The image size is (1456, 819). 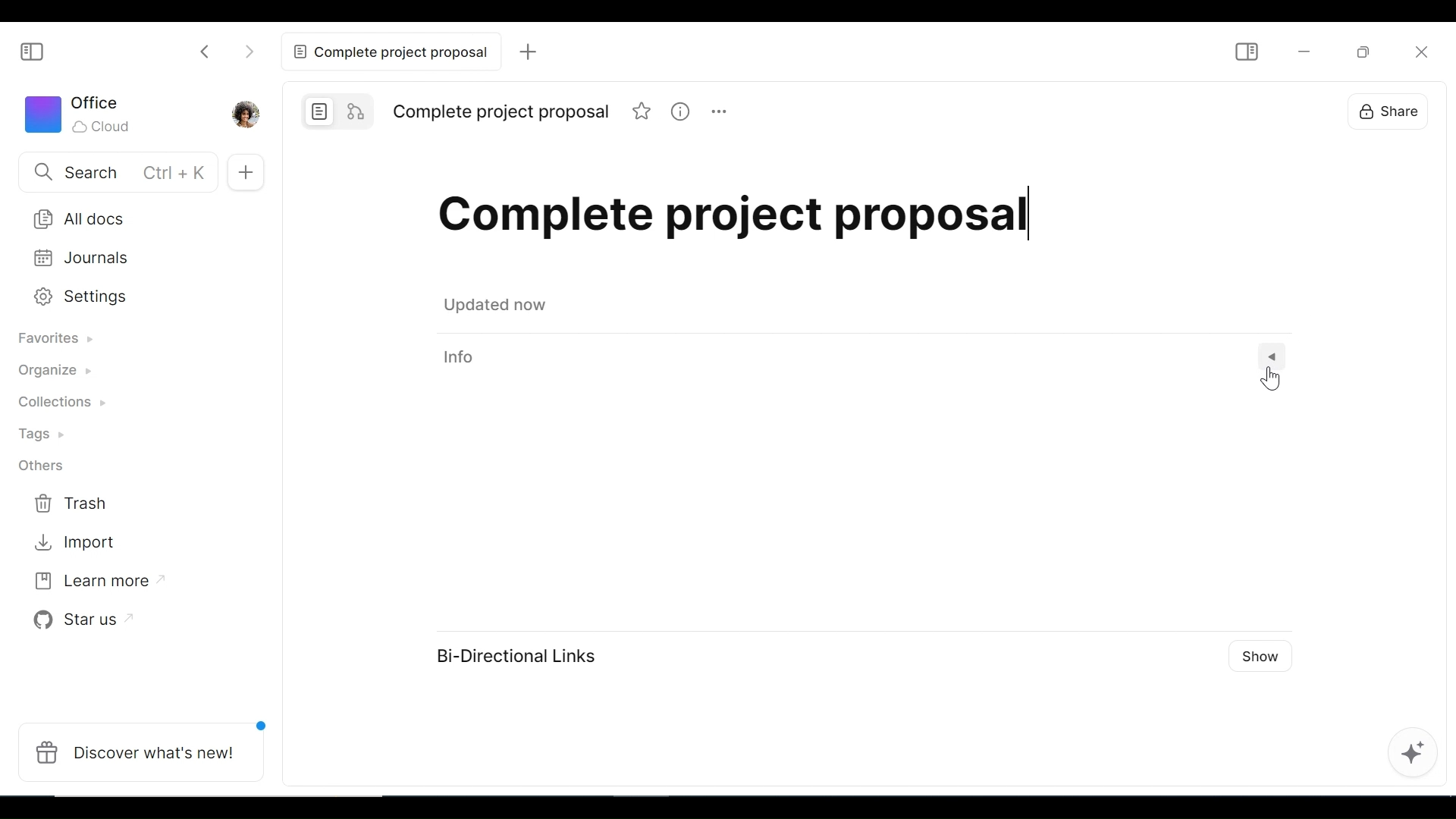 What do you see at coordinates (99, 579) in the screenshot?
I see `Learn more` at bounding box center [99, 579].